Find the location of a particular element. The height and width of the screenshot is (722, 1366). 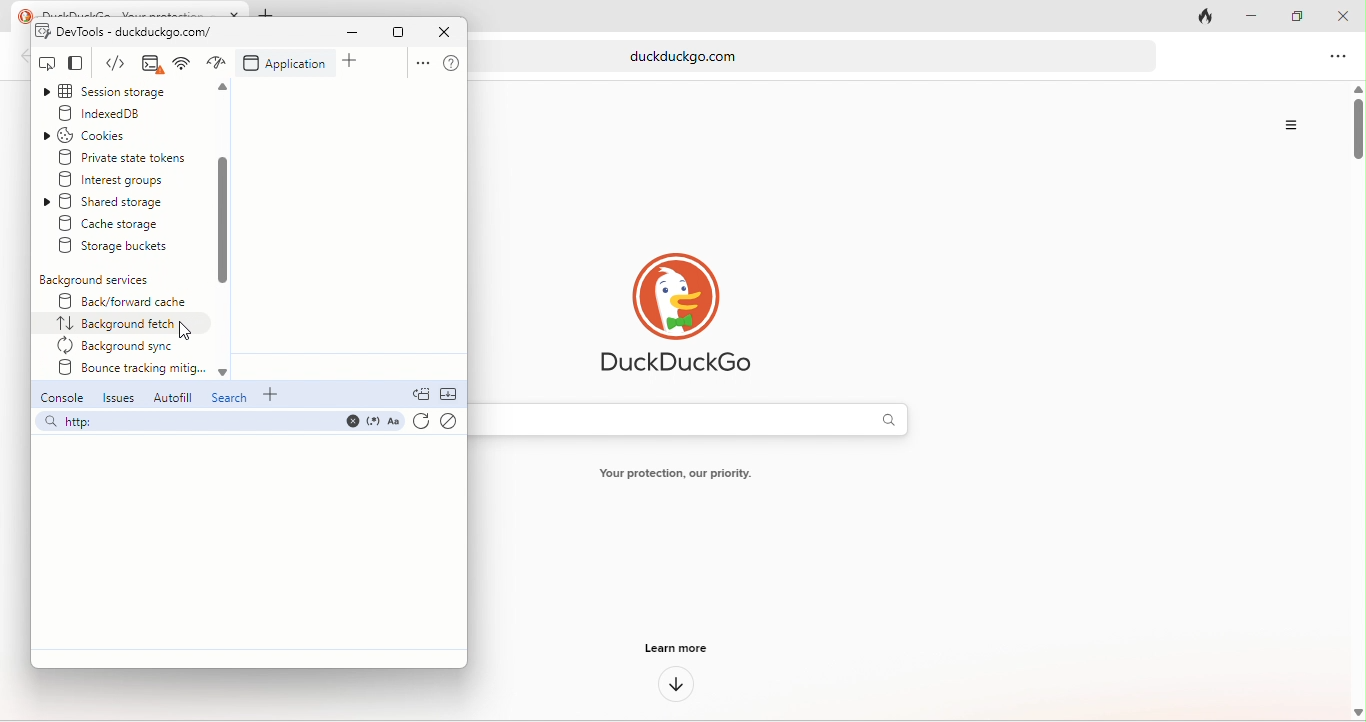

track tab is located at coordinates (1209, 19).